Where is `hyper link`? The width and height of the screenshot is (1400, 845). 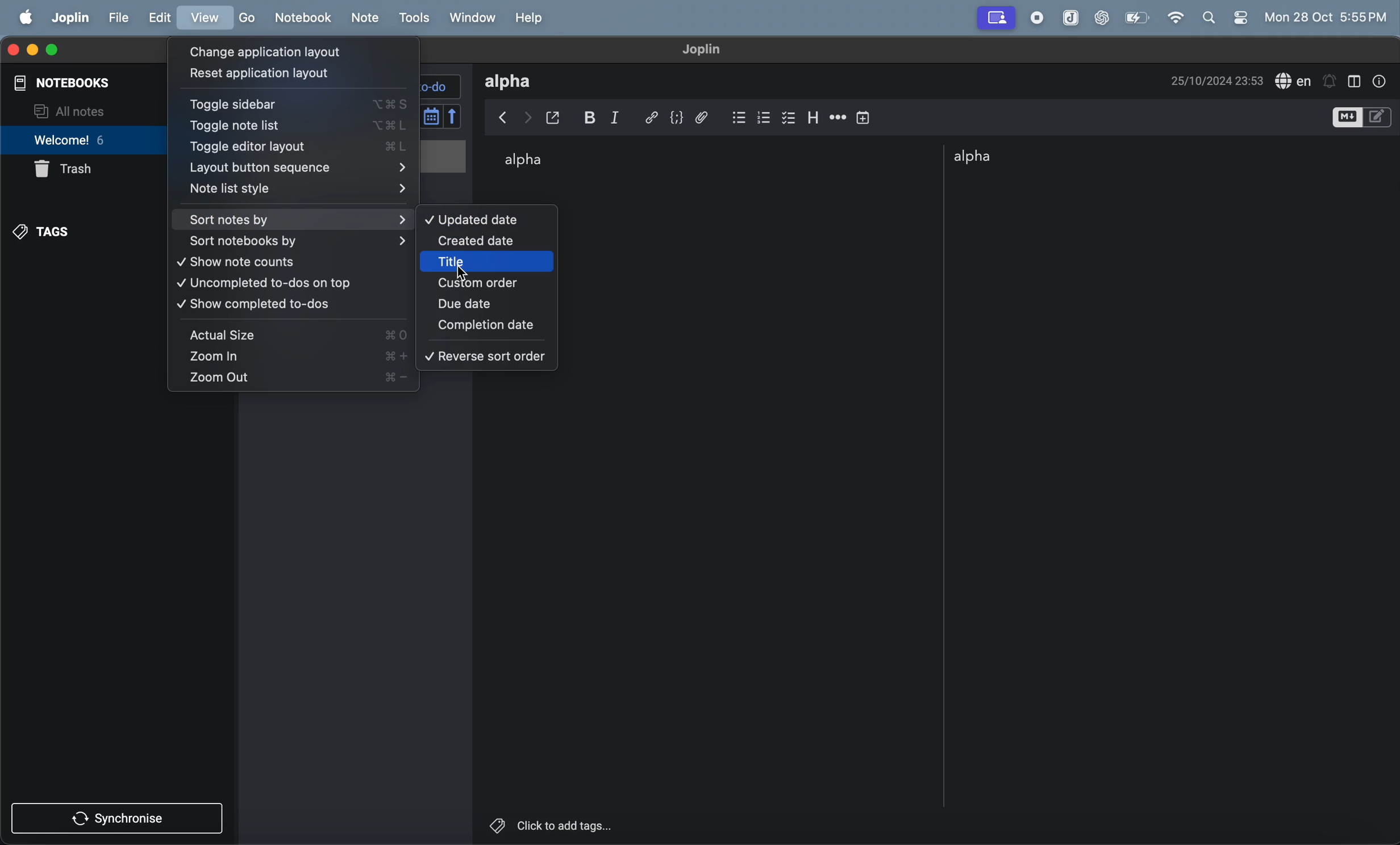
hyper link is located at coordinates (653, 116).